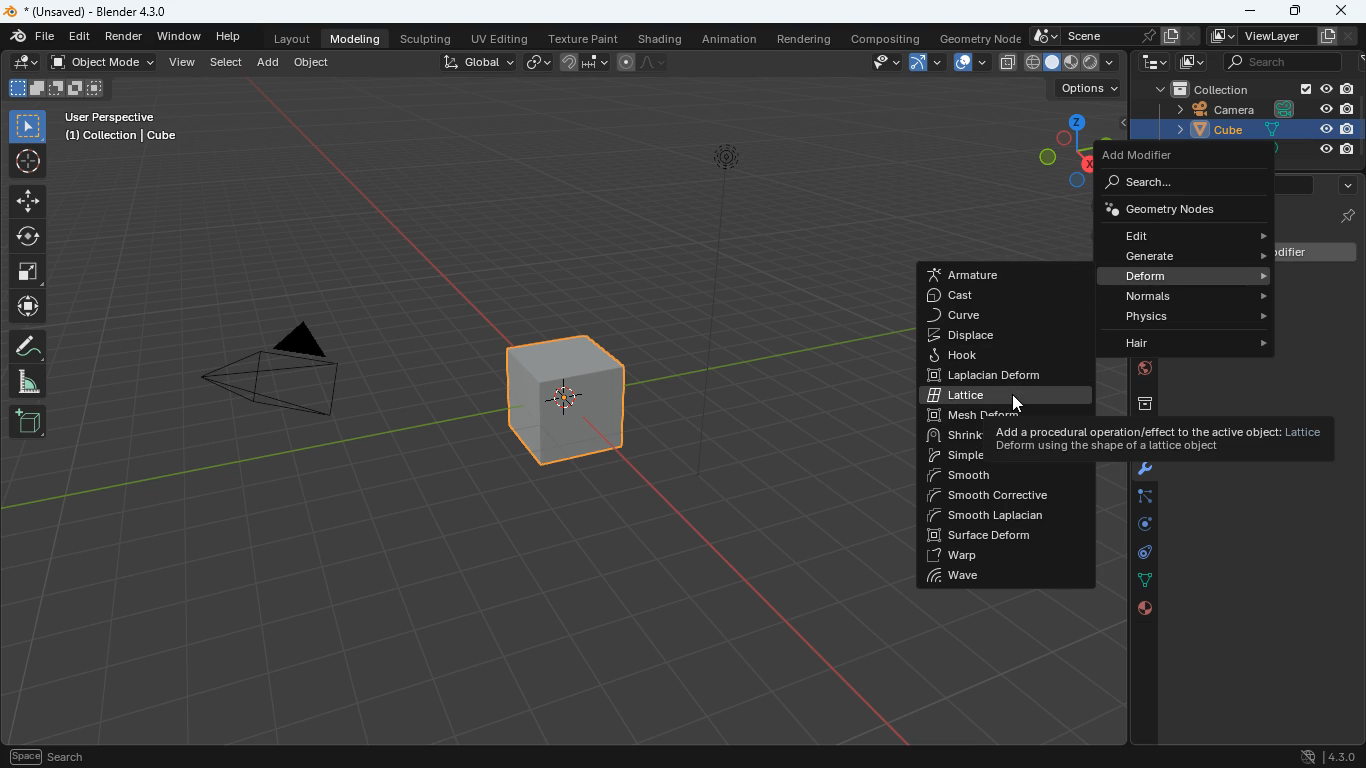 Image resolution: width=1366 pixels, height=768 pixels. Describe the element at coordinates (55, 87) in the screenshot. I see `image size` at that location.